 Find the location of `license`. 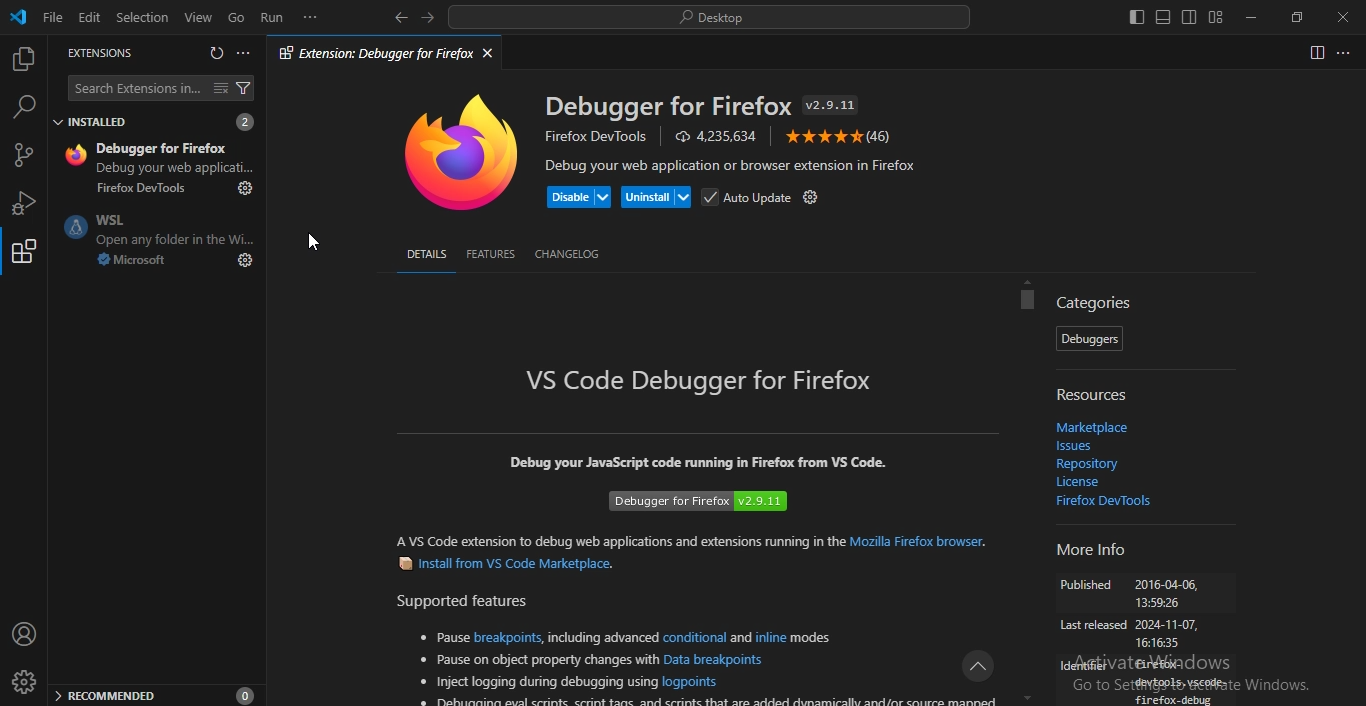

license is located at coordinates (1081, 484).